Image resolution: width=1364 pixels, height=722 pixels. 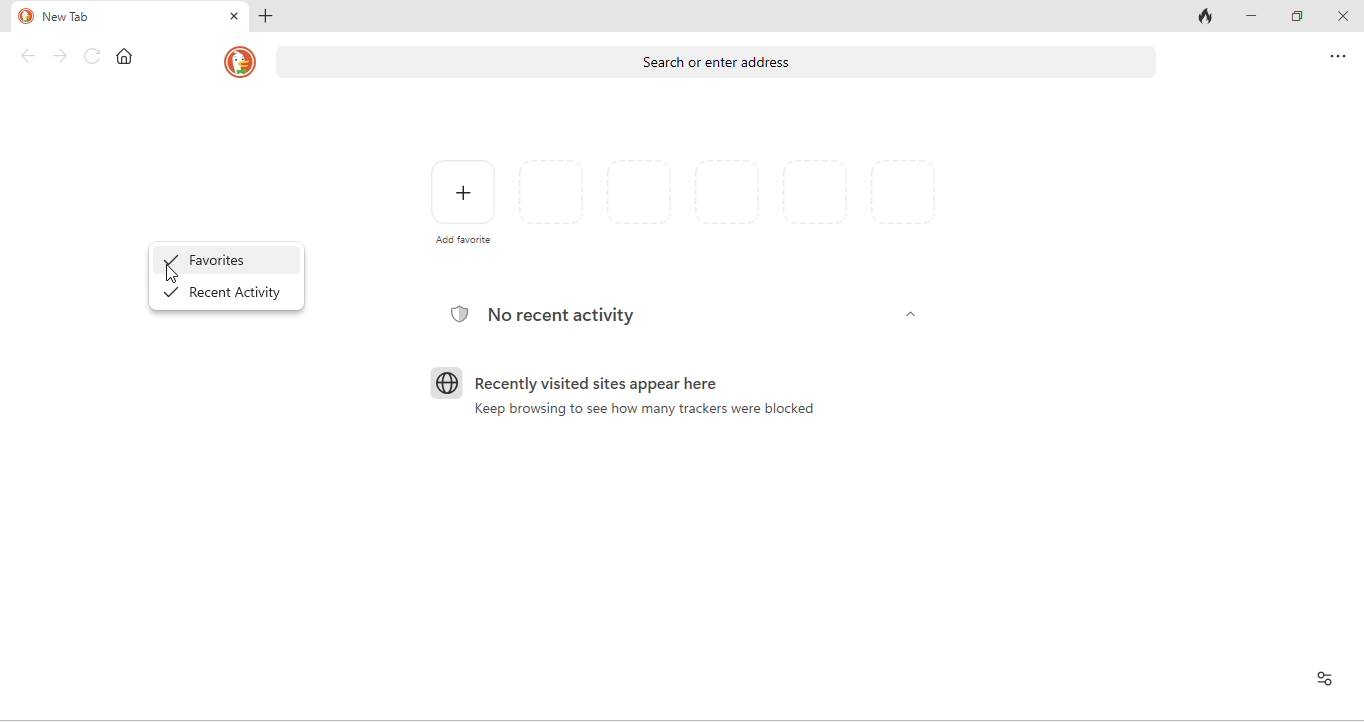 What do you see at coordinates (171, 273) in the screenshot?
I see `cursor movement` at bounding box center [171, 273].